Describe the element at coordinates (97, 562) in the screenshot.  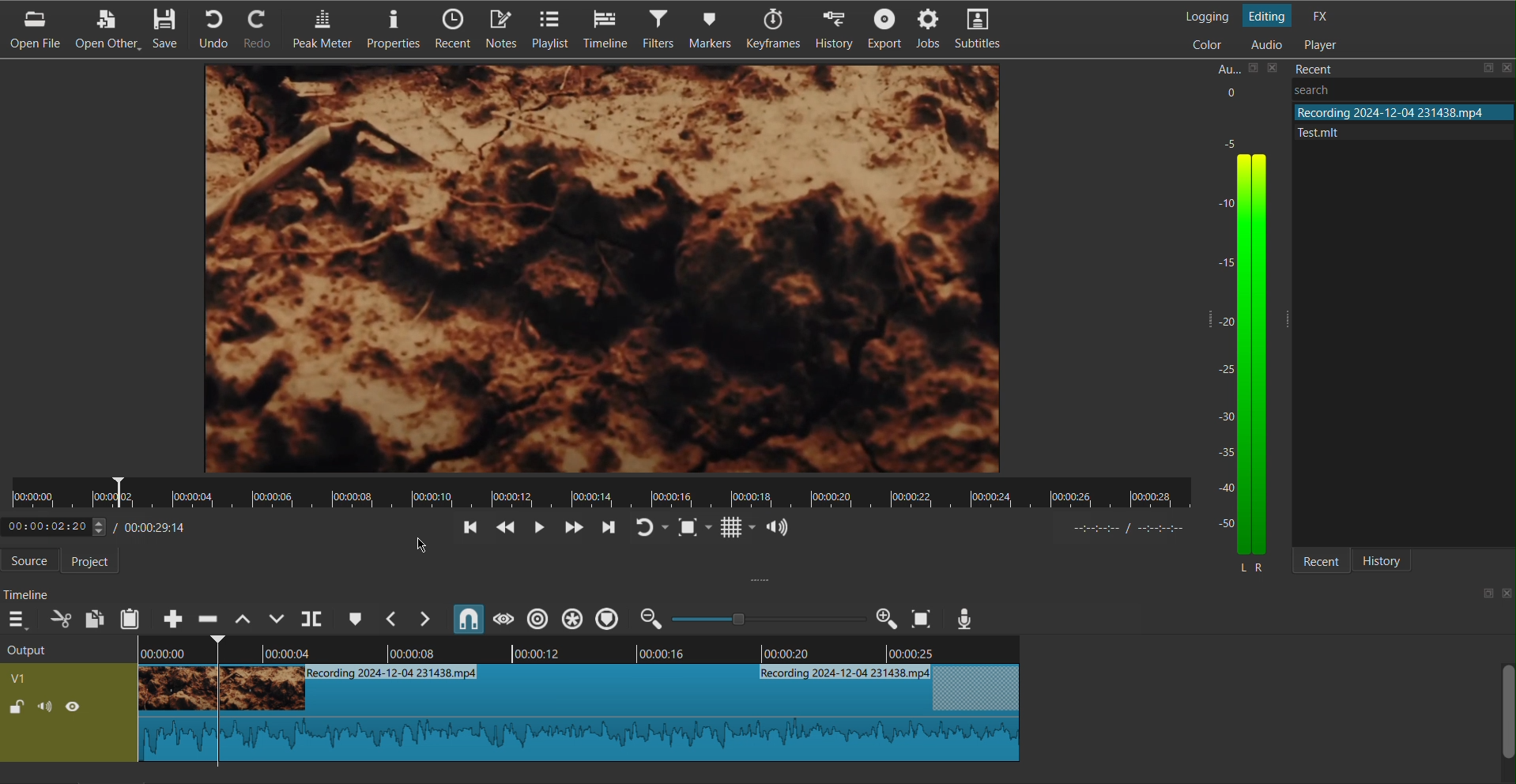
I see `Project` at that location.